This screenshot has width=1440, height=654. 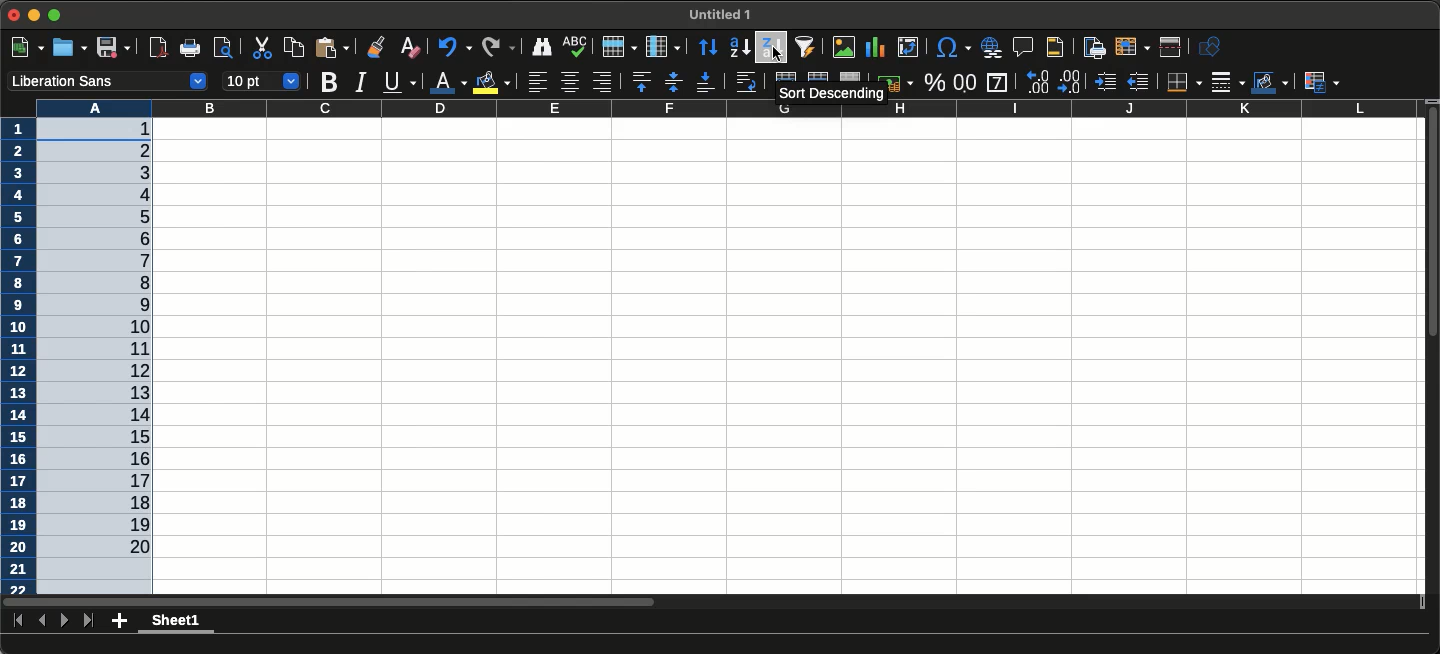 What do you see at coordinates (18, 620) in the screenshot?
I see `First sheet` at bounding box center [18, 620].